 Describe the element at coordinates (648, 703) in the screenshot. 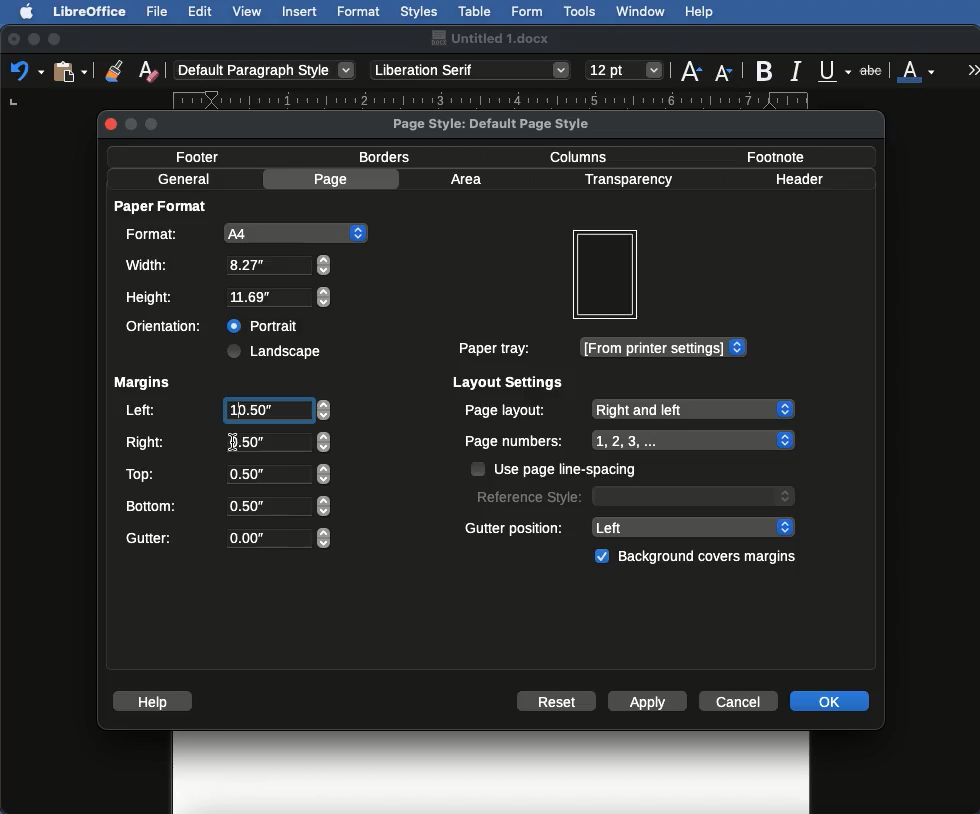

I see `Apply` at that location.